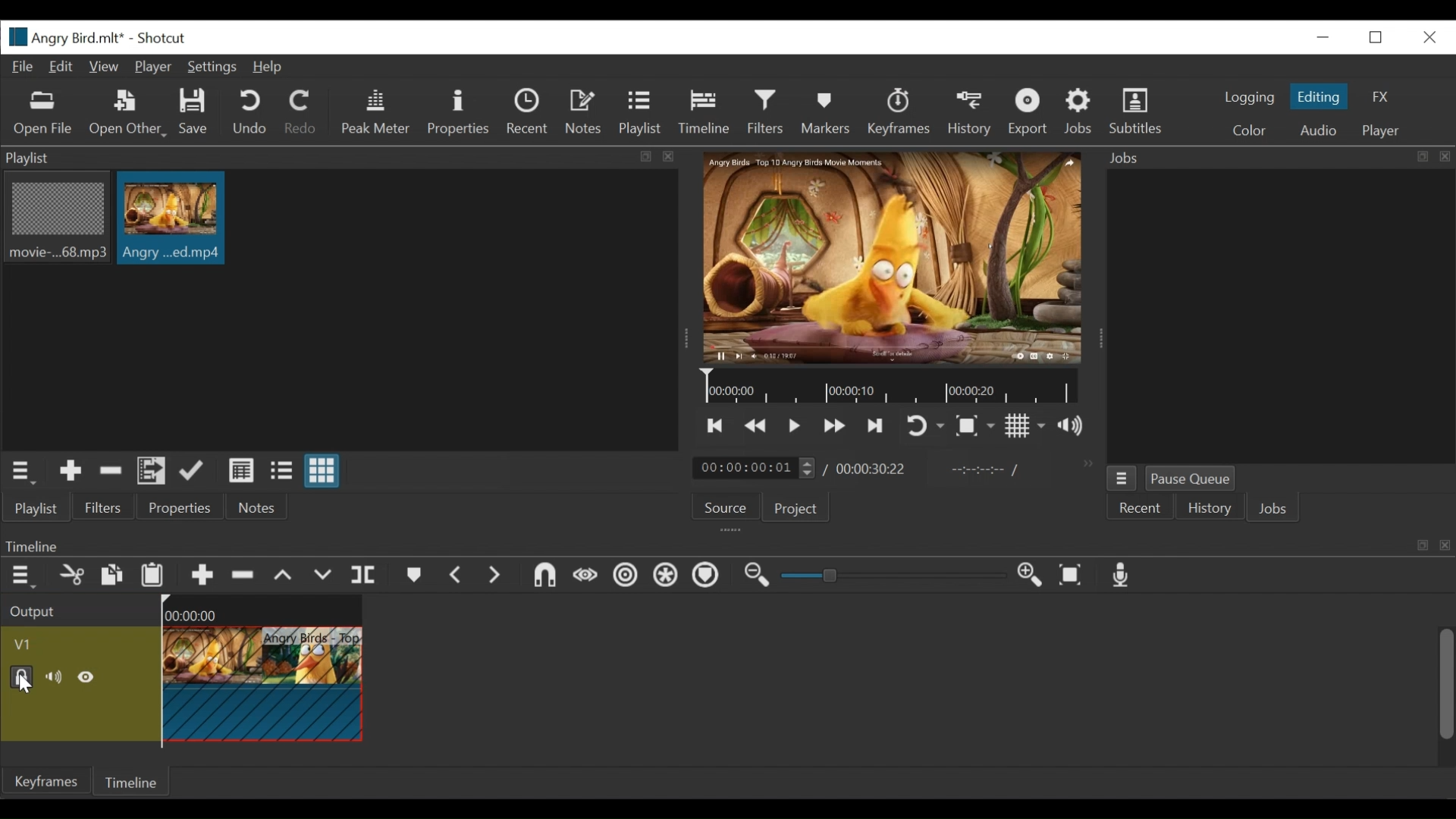 The width and height of the screenshot is (1456, 819). What do you see at coordinates (22, 678) in the screenshot?
I see `(un)lock track` at bounding box center [22, 678].